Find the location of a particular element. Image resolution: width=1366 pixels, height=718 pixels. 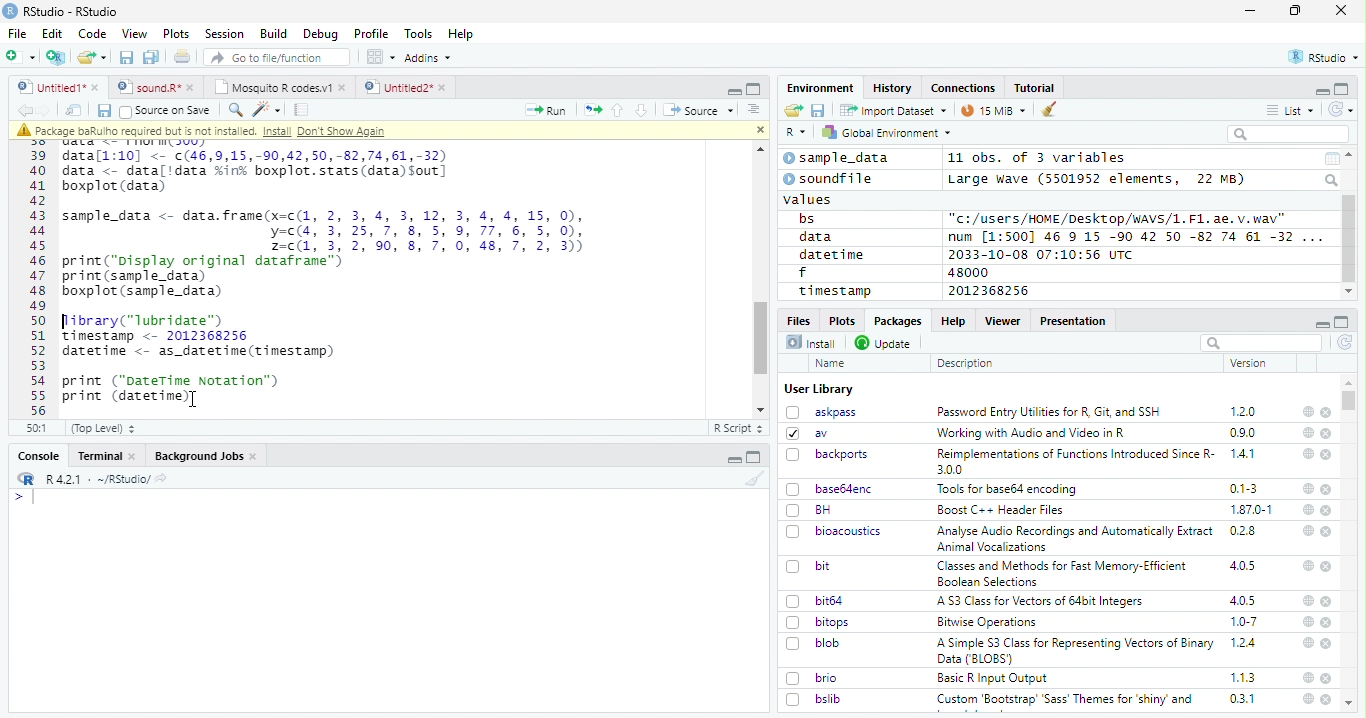

R 4.2.1 - ~/RStudio/ is located at coordinates (95, 479).